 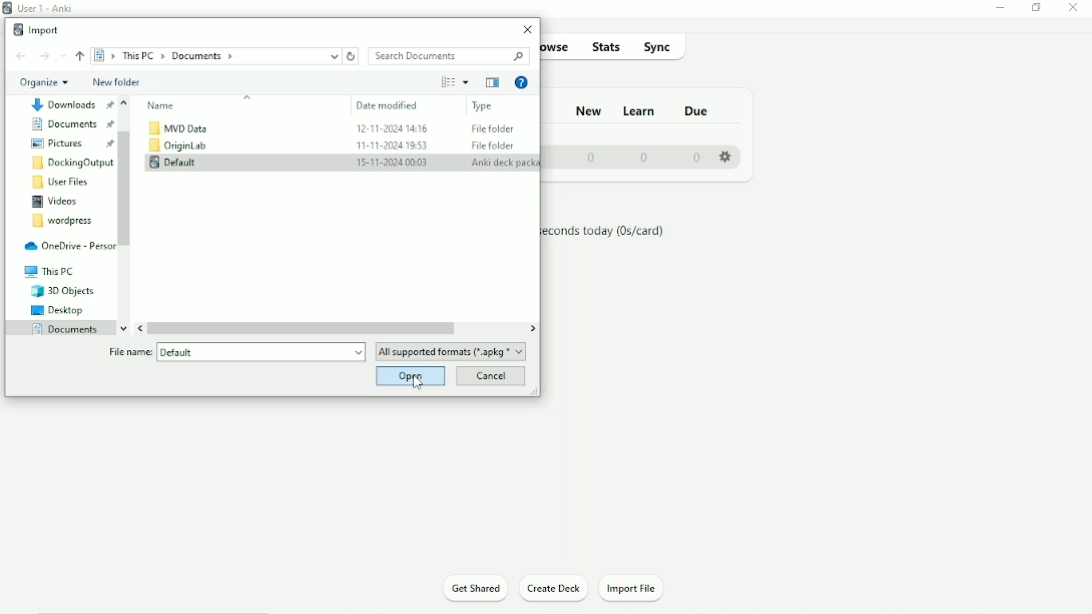 What do you see at coordinates (44, 83) in the screenshot?
I see `Organize` at bounding box center [44, 83].